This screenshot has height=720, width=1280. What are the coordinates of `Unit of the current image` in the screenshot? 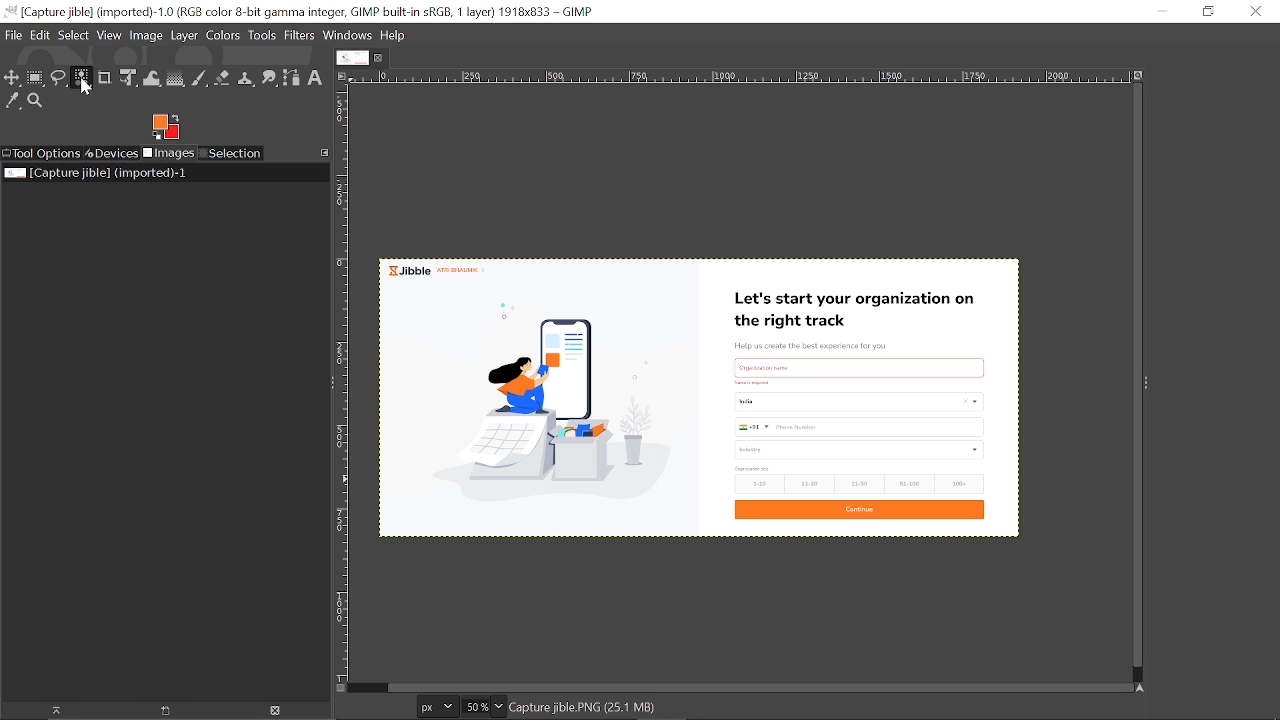 It's located at (438, 706).